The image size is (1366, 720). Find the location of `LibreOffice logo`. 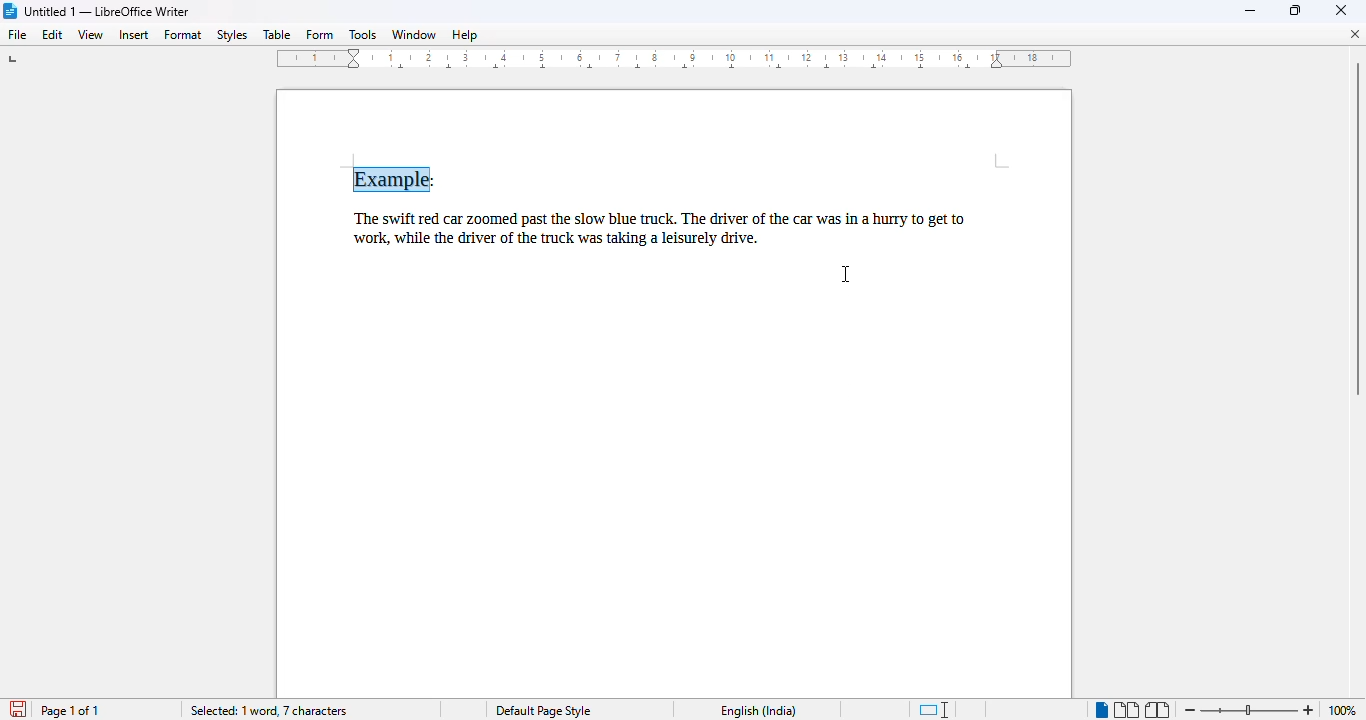

LibreOffice logo is located at coordinates (9, 11).